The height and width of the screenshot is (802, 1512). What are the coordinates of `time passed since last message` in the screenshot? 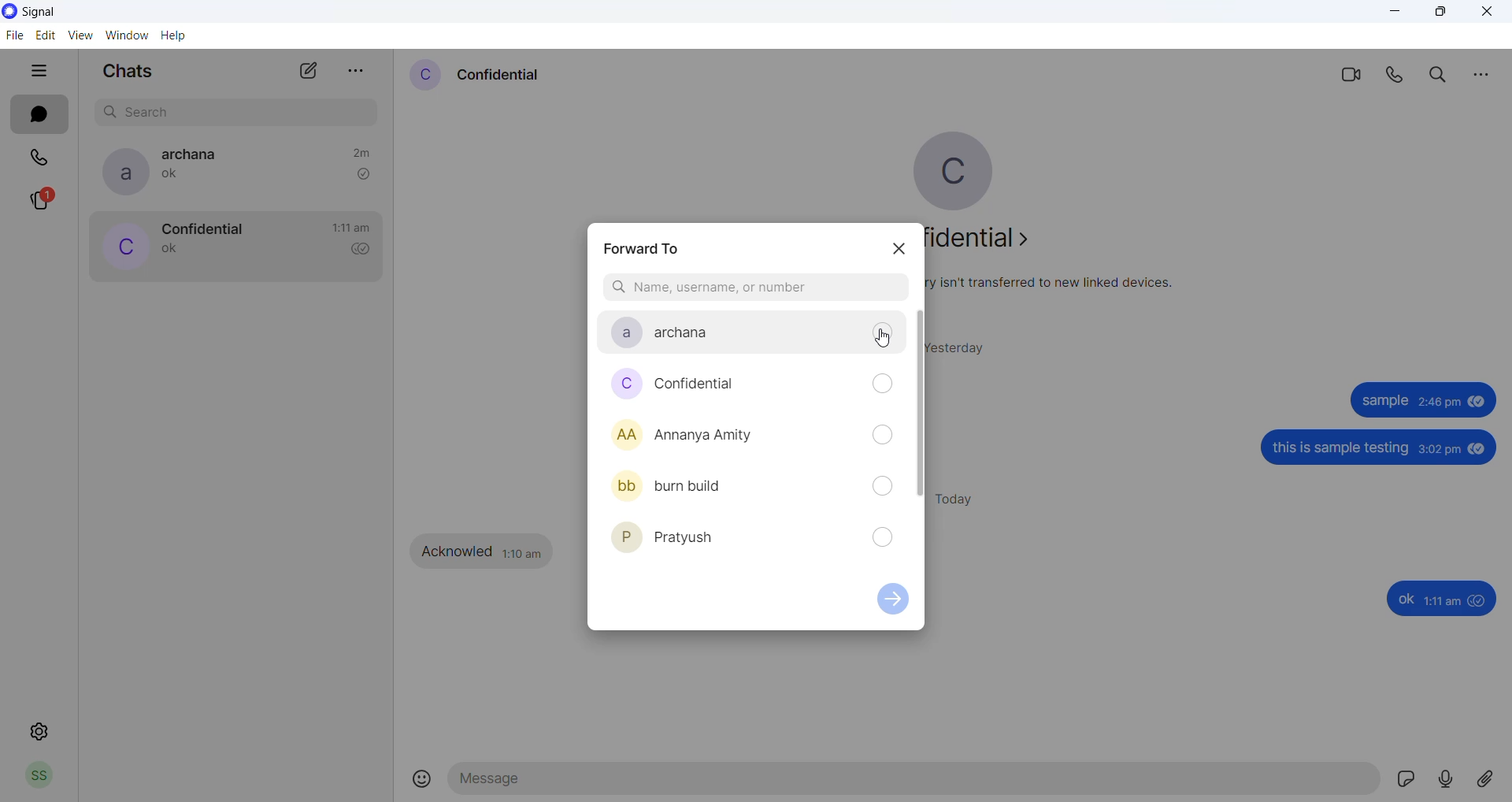 It's located at (361, 150).